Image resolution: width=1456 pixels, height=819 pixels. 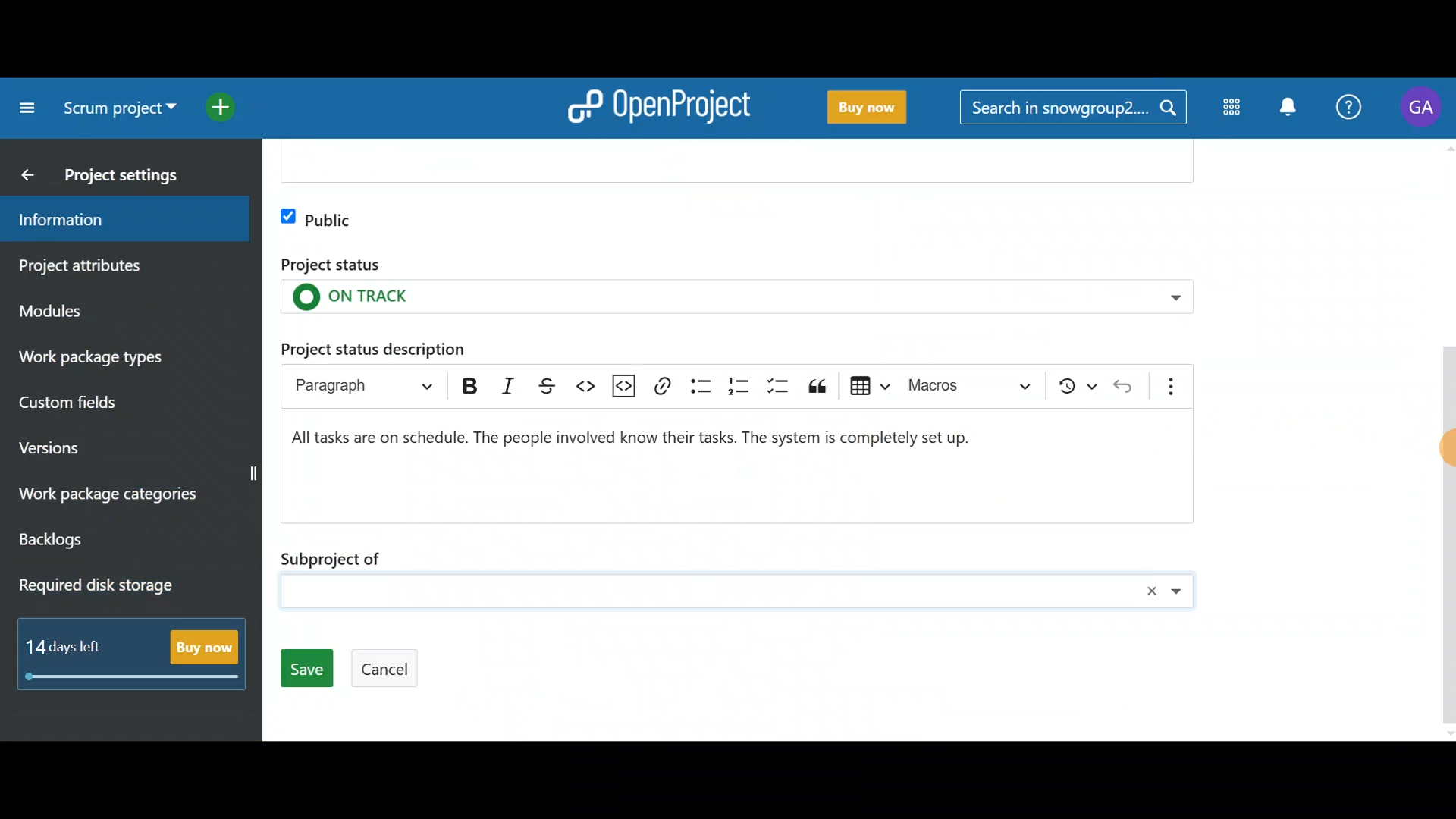 I want to click on Buy now, so click(x=138, y=657).